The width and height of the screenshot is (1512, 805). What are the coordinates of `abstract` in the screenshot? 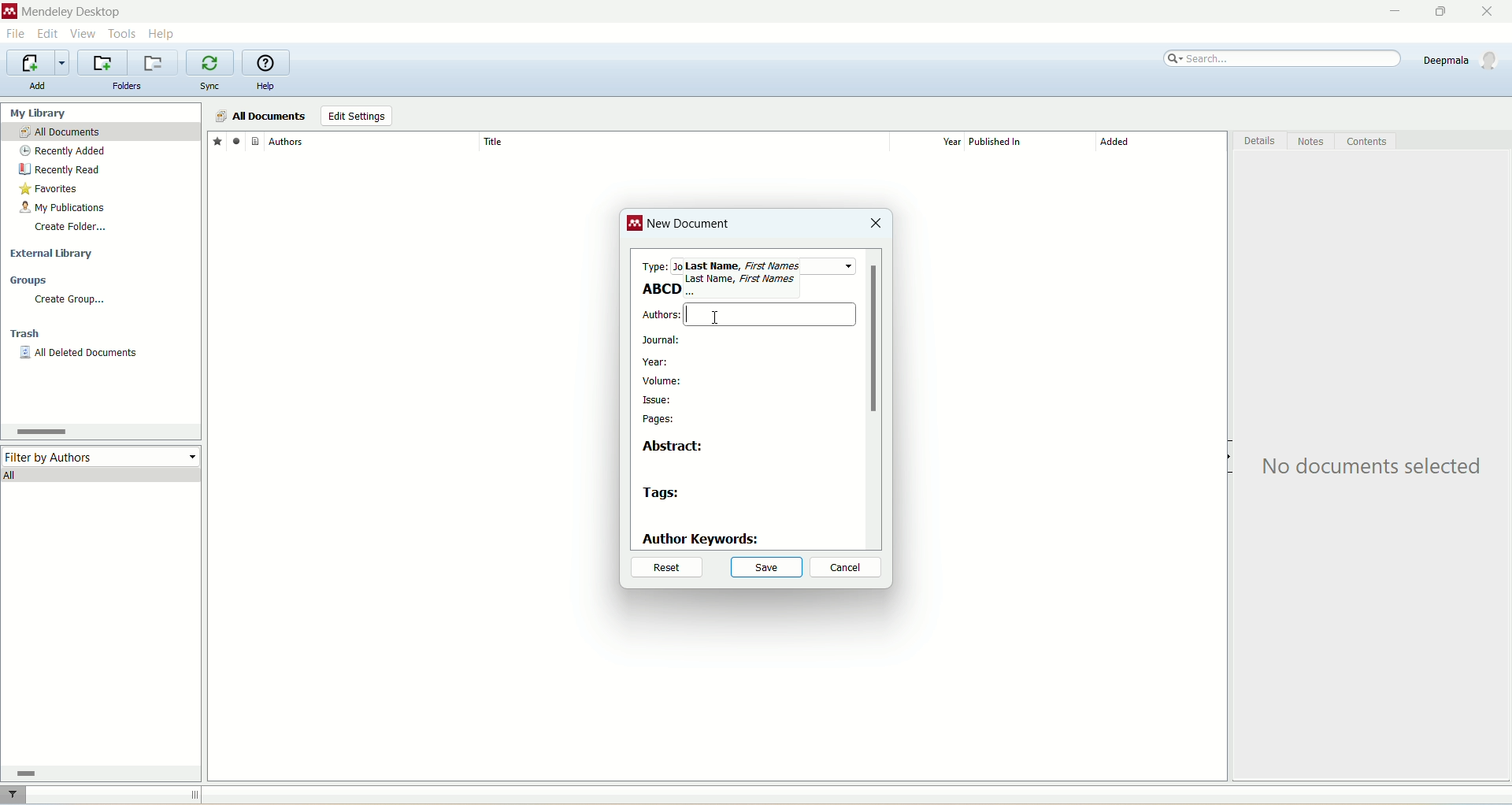 It's located at (678, 446).